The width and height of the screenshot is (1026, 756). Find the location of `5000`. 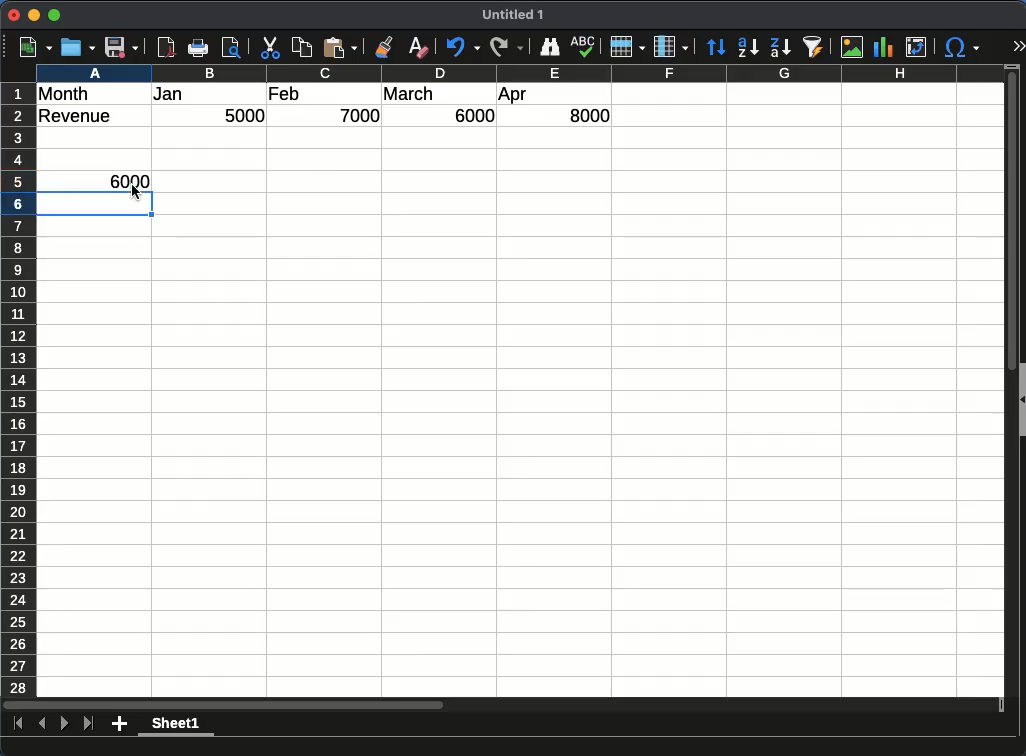

5000 is located at coordinates (244, 115).